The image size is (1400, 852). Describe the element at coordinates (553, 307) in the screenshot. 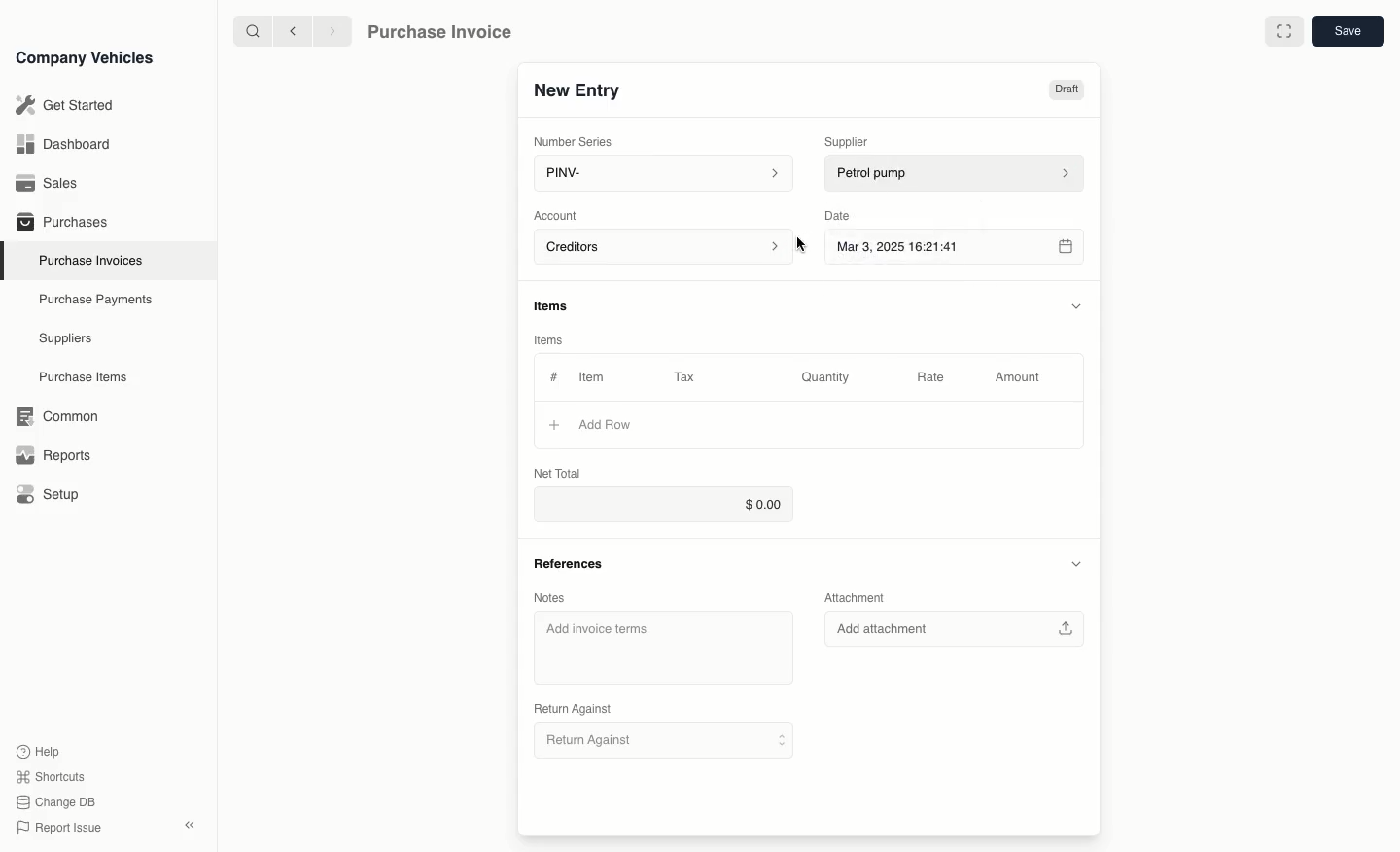

I see `items` at that location.